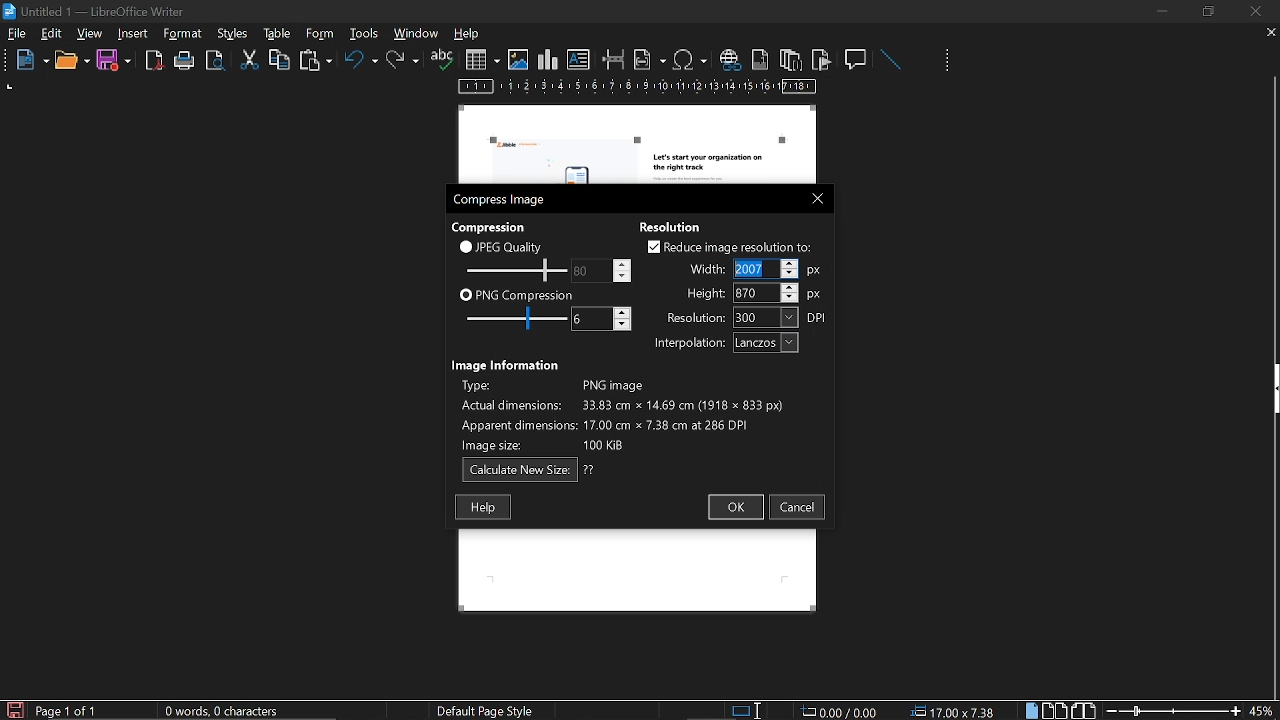 The image size is (1280, 720). Describe the element at coordinates (1082, 709) in the screenshot. I see `book view` at that location.